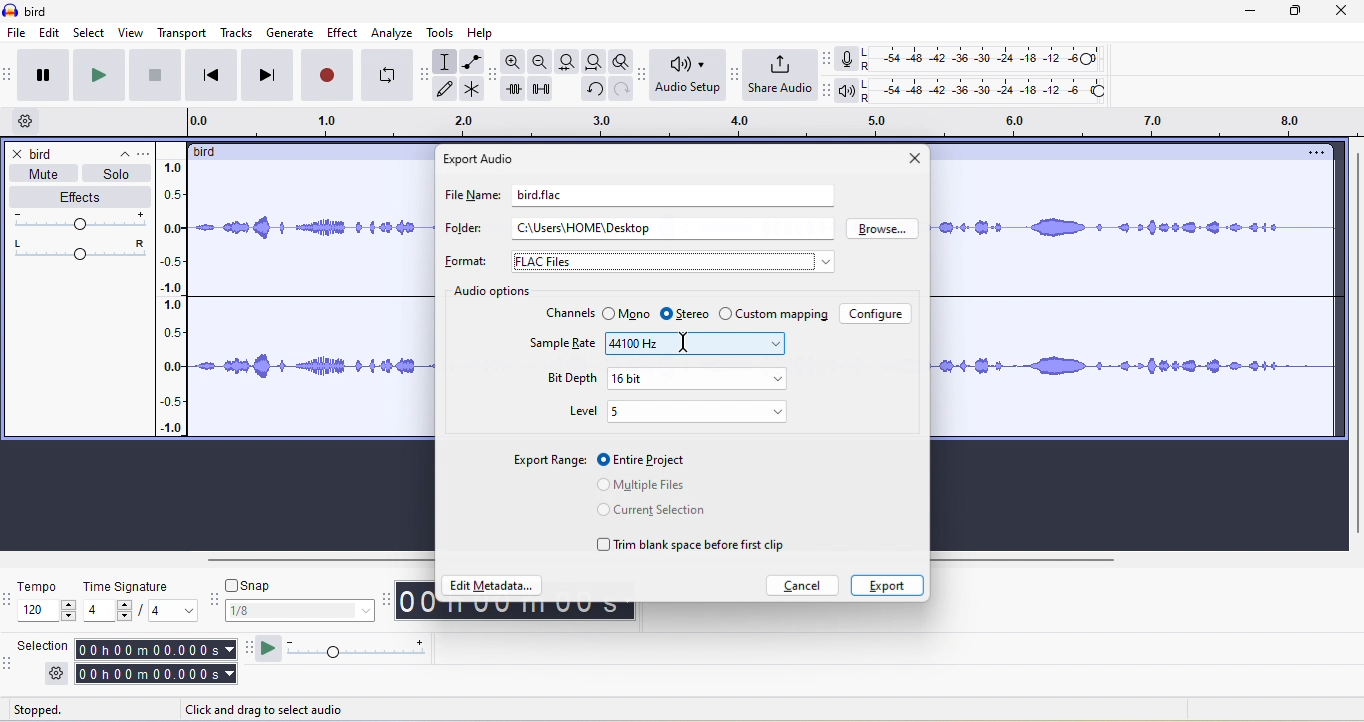 The image size is (1364, 722). I want to click on play at speed, so click(364, 651).